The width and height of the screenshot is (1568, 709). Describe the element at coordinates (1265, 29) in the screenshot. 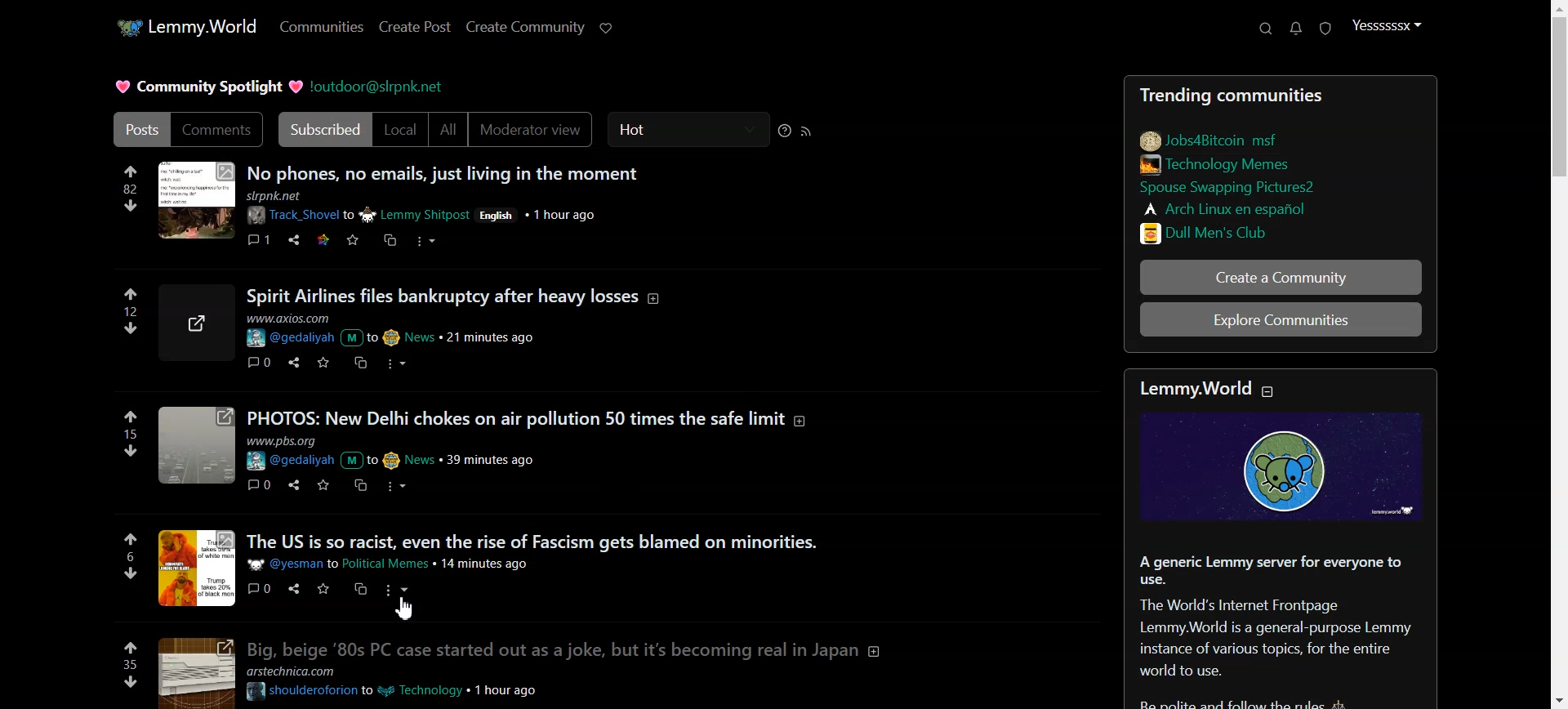

I see `Search` at that location.